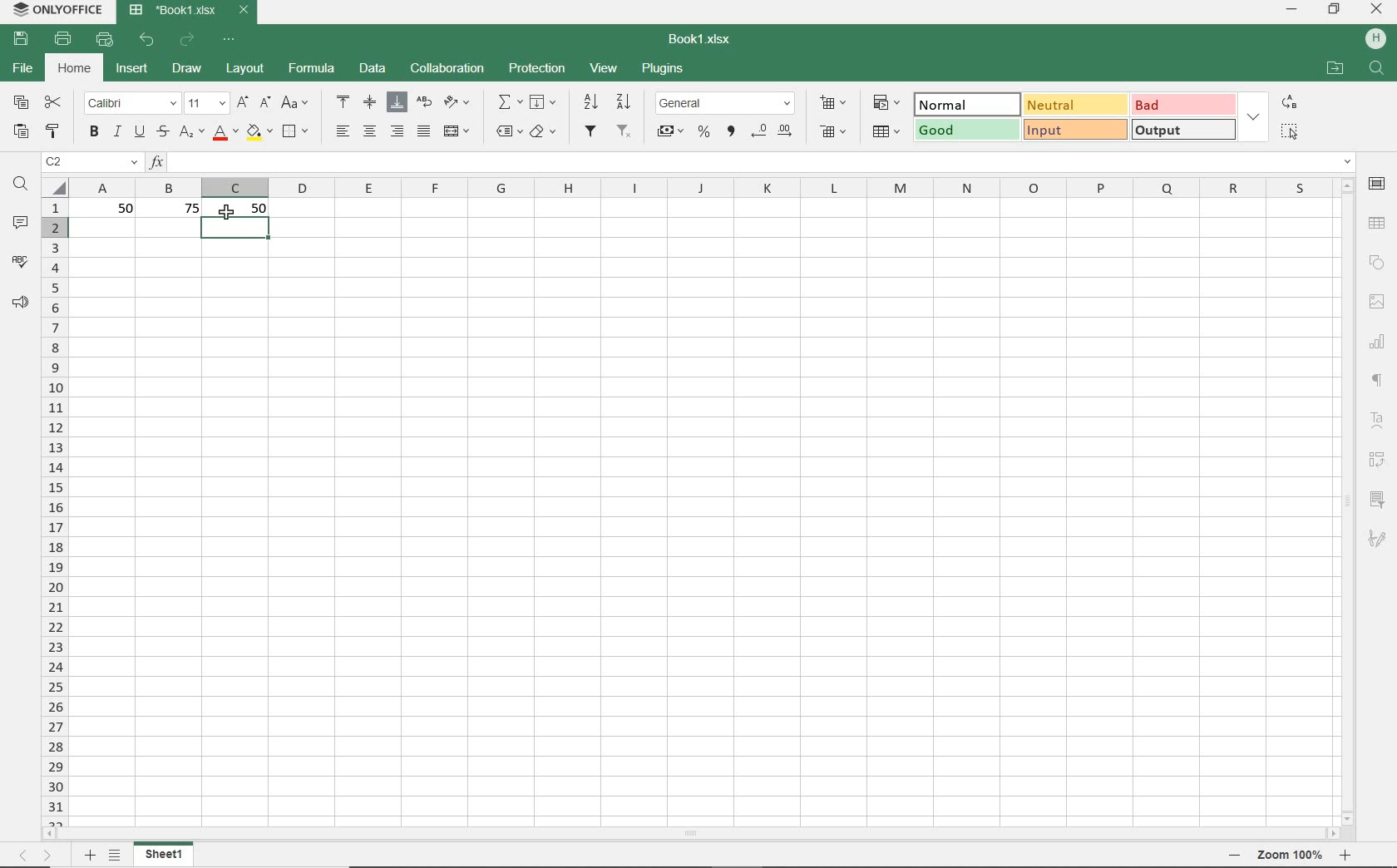 Image resolution: width=1397 pixels, height=868 pixels. Describe the element at coordinates (191, 132) in the screenshot. I see `subscript/superscript` at that location.